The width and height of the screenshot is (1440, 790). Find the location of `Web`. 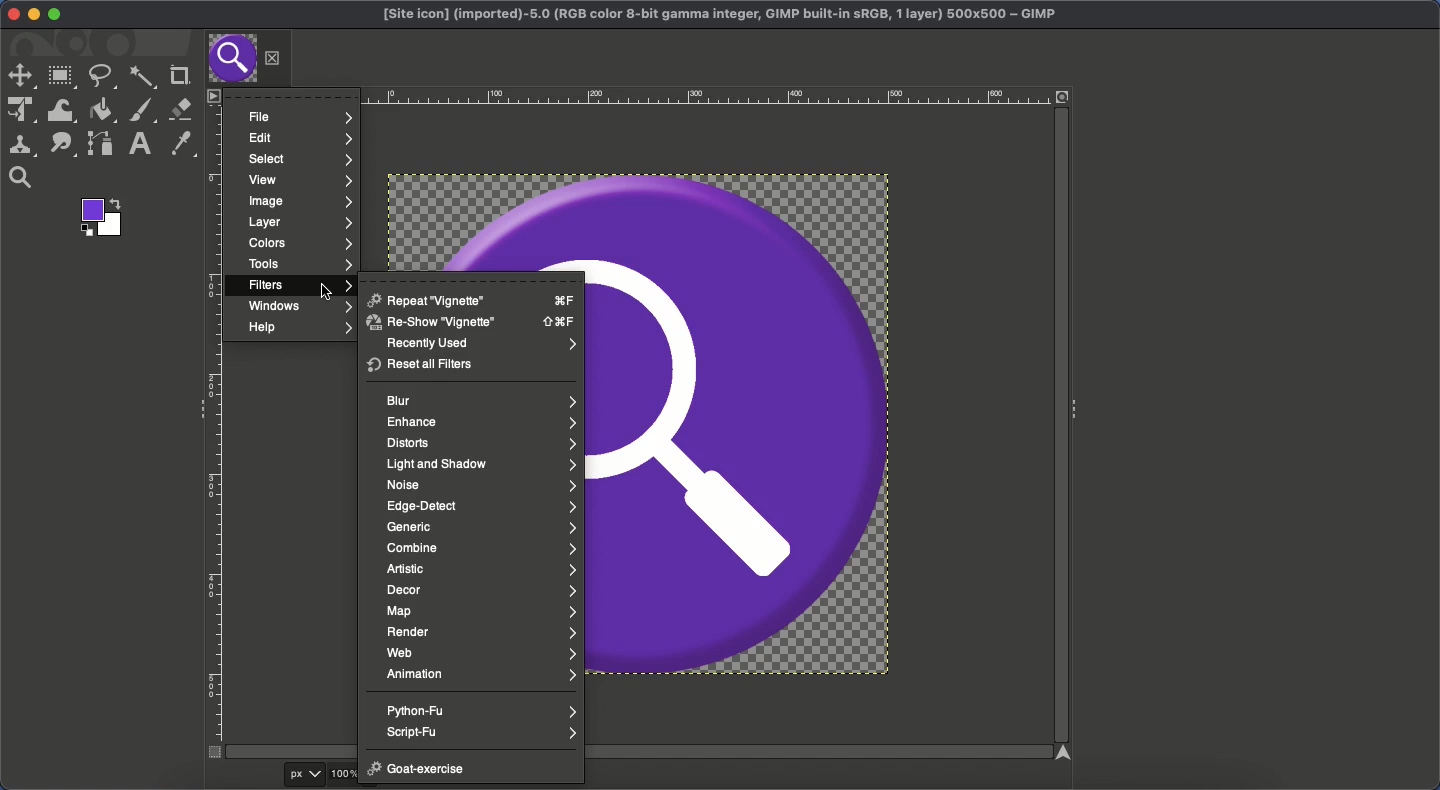

Web is located at coordinates (484, 653).